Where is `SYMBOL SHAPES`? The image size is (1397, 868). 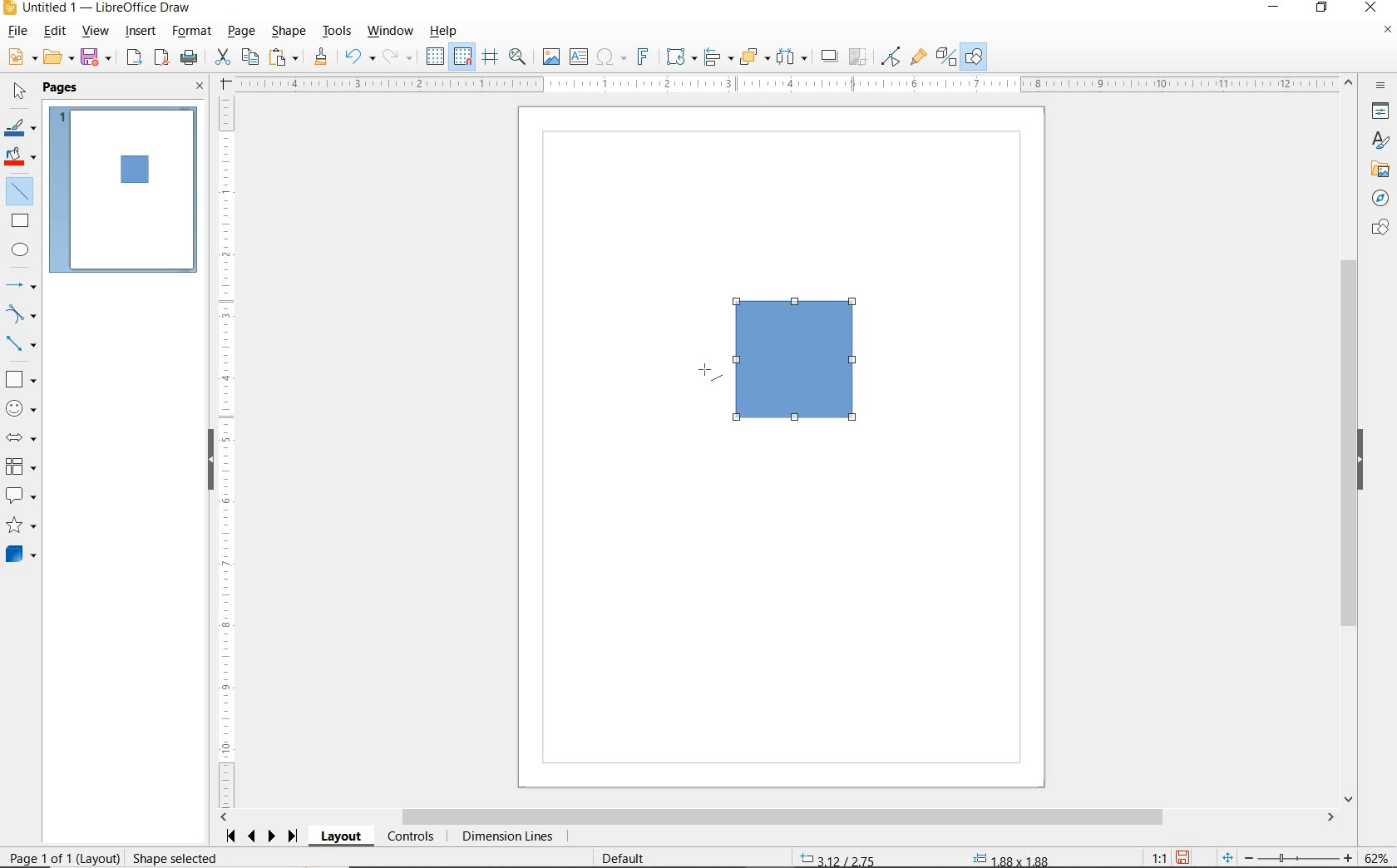
SYMBOL SHAPES is located at coordinates (22, 407).